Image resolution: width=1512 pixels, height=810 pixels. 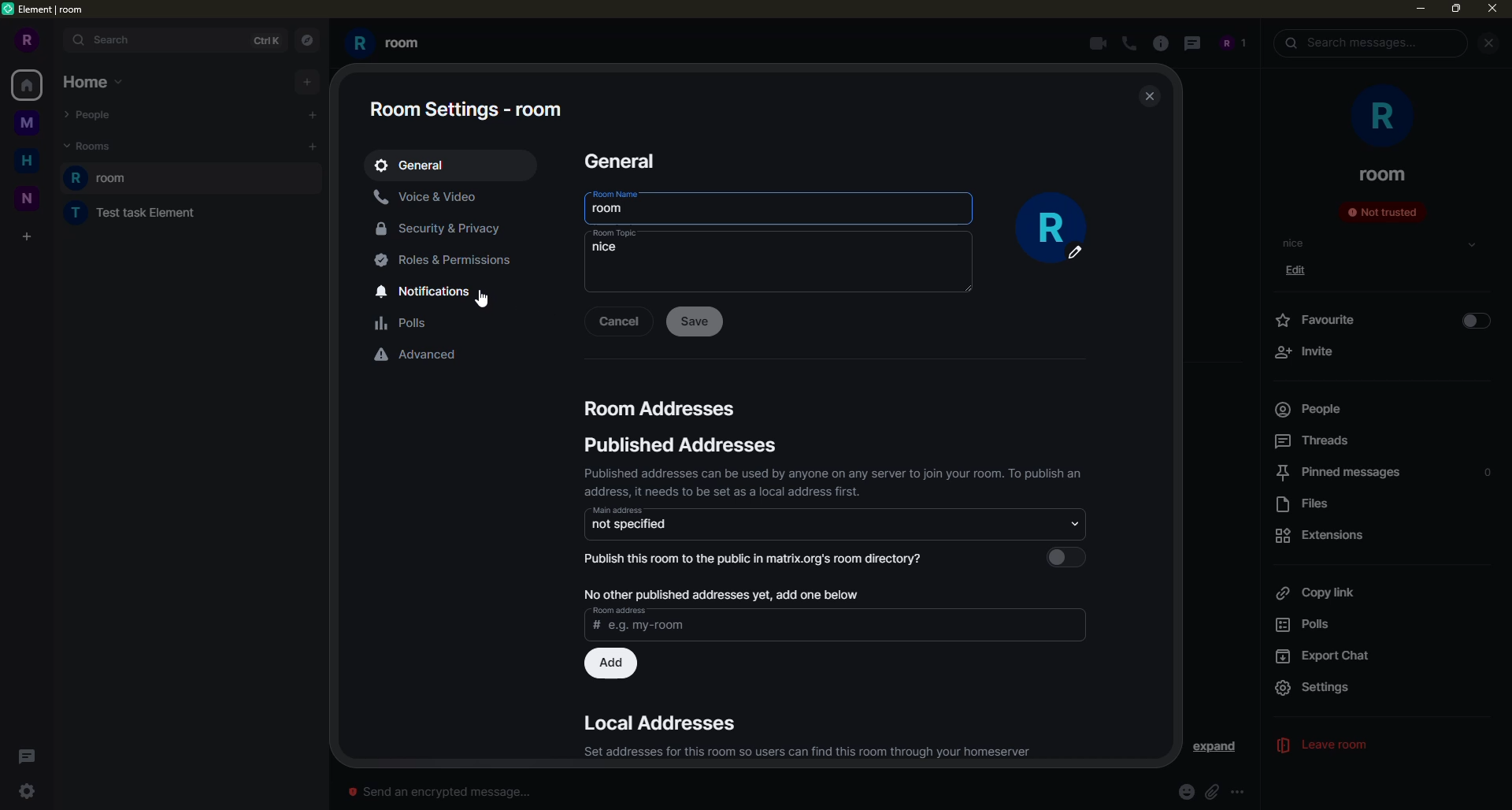 What do you see at coordinates (54, 9) in the screenshot?
I see `element|room` at bounding box center [54, 9].